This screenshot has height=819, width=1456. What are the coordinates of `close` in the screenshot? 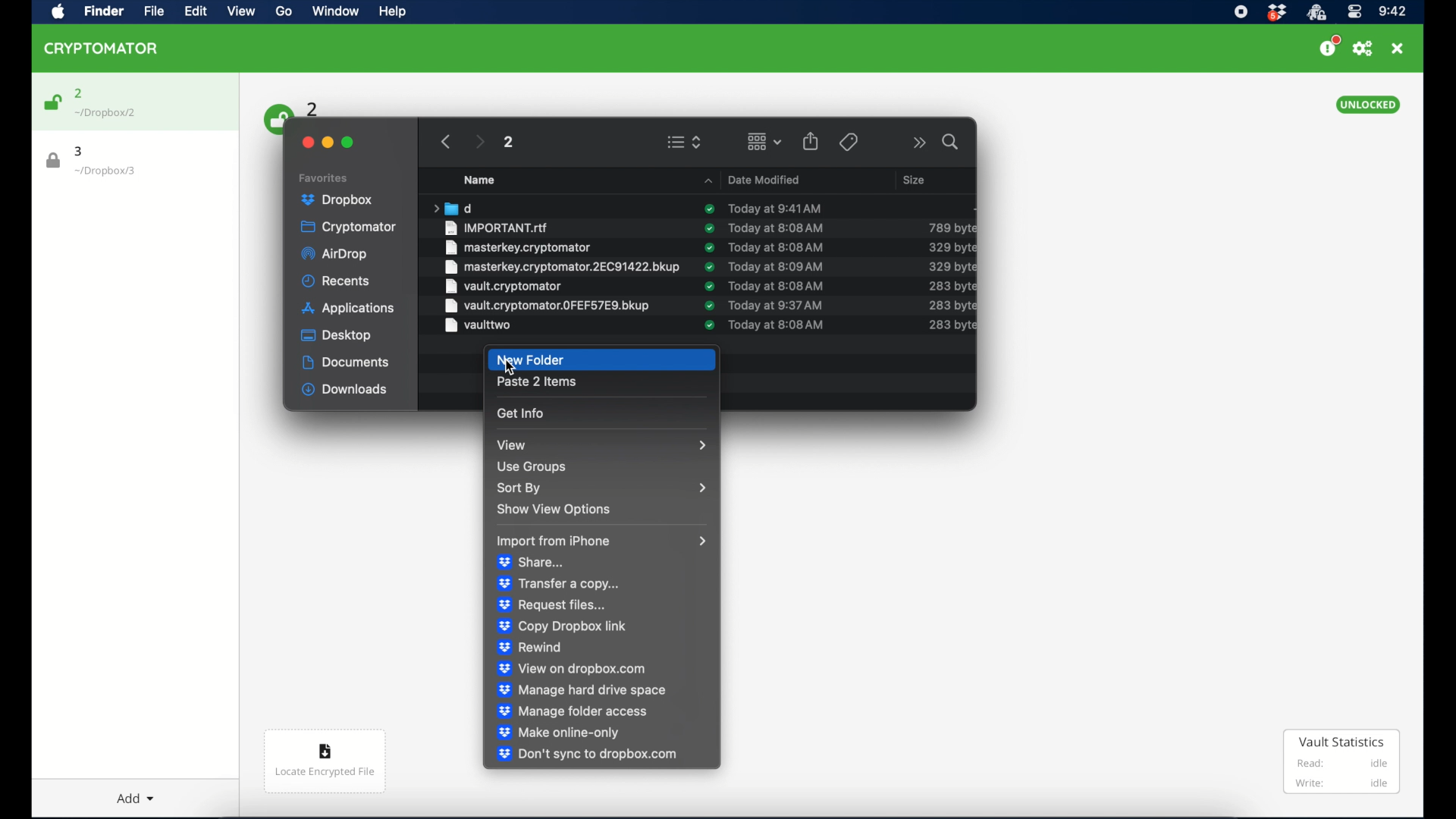 It's located at (1398, 49).